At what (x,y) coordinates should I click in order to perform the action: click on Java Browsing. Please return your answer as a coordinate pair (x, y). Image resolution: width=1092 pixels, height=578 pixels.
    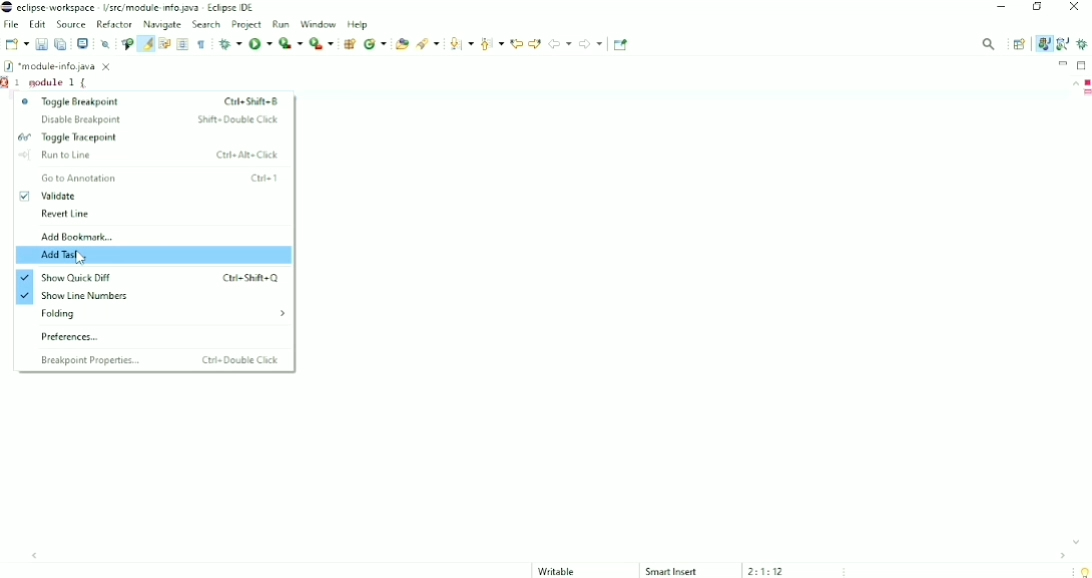
    Looking at the image, I should click on (1063, 44).